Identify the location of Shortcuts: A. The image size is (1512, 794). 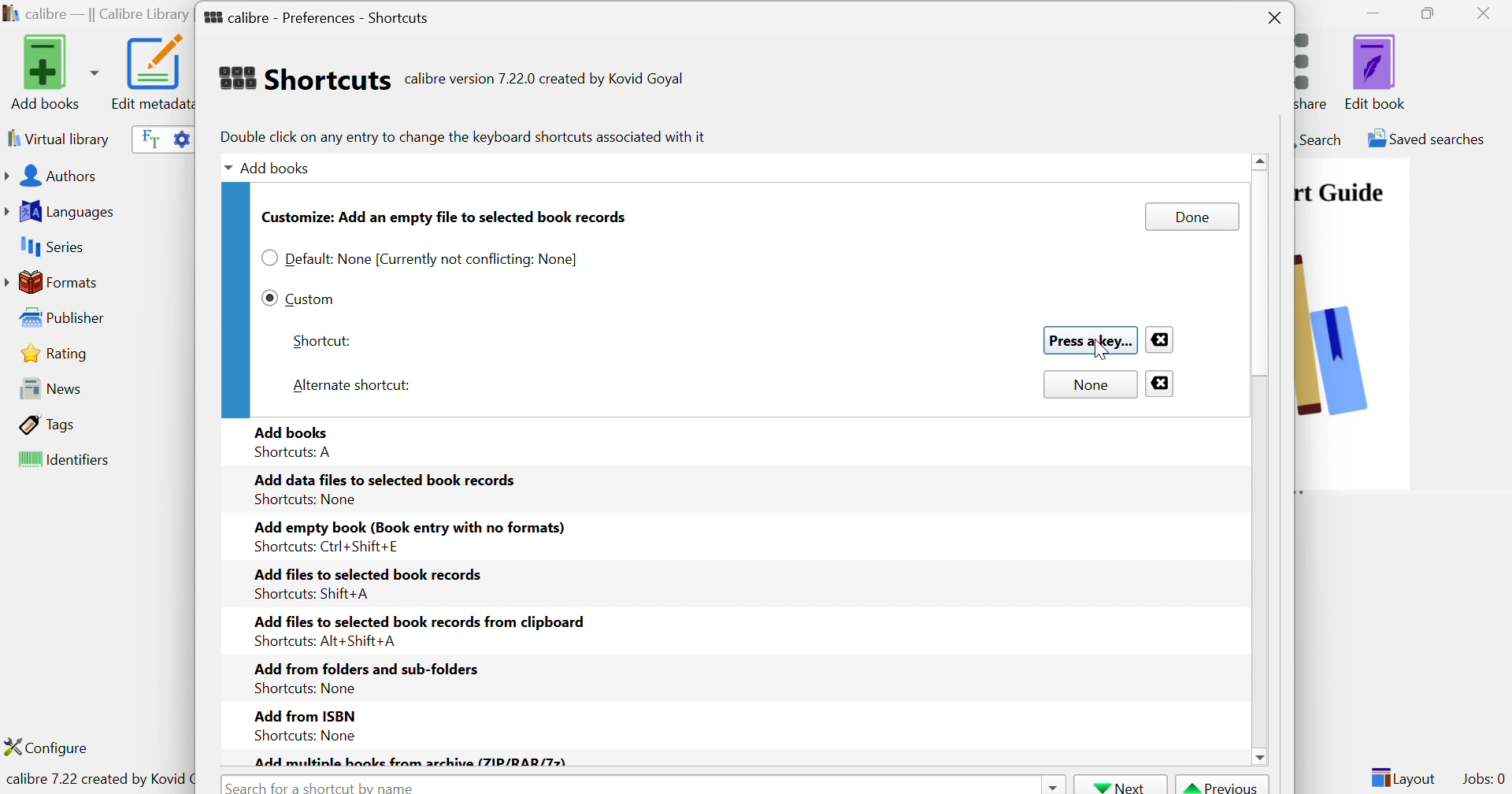
(295, 453).